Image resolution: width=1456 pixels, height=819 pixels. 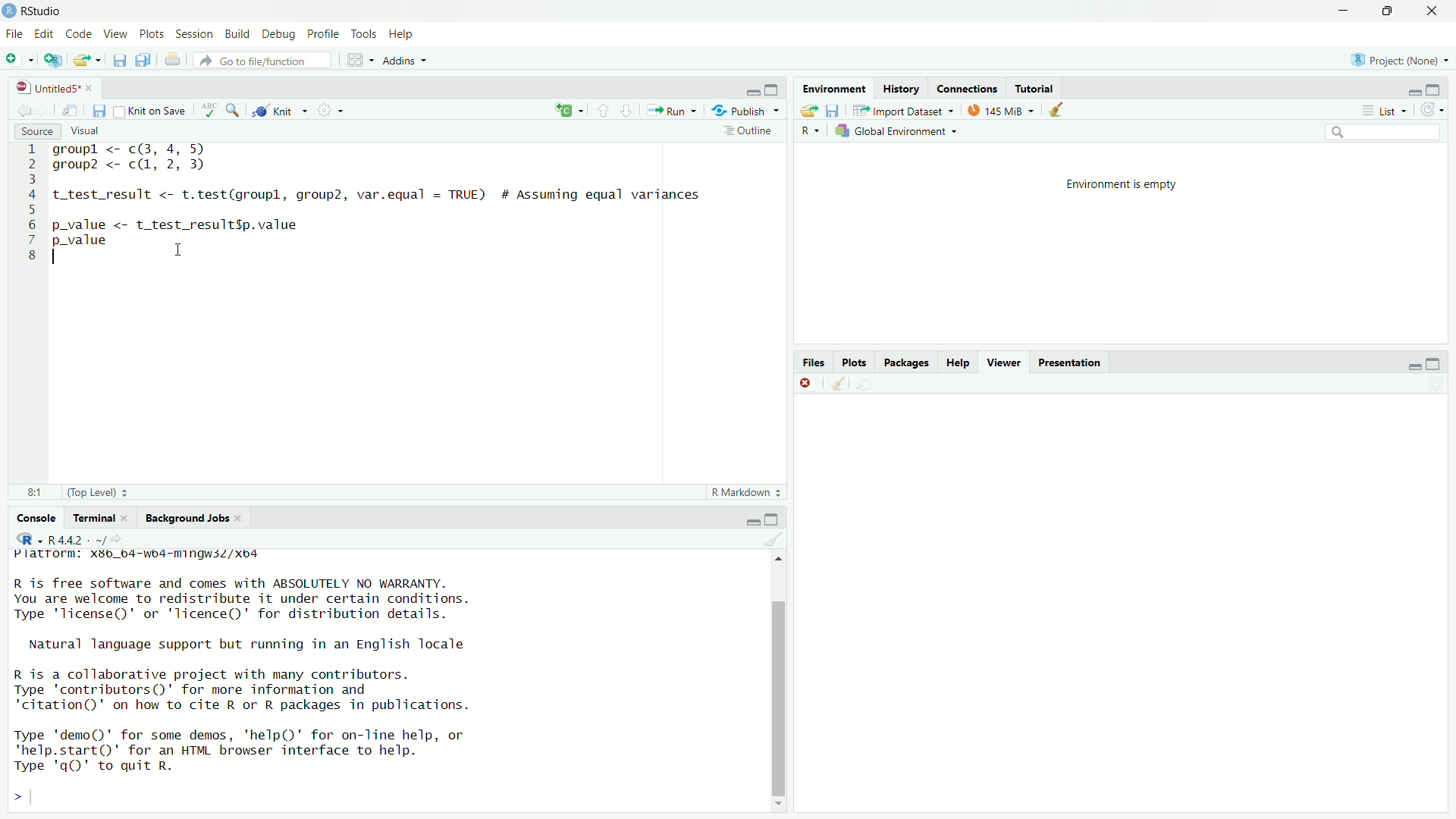 What do you see at coordinates (958, 362) in the screenshot?
I see `Help` at bounding box center [958, 362].